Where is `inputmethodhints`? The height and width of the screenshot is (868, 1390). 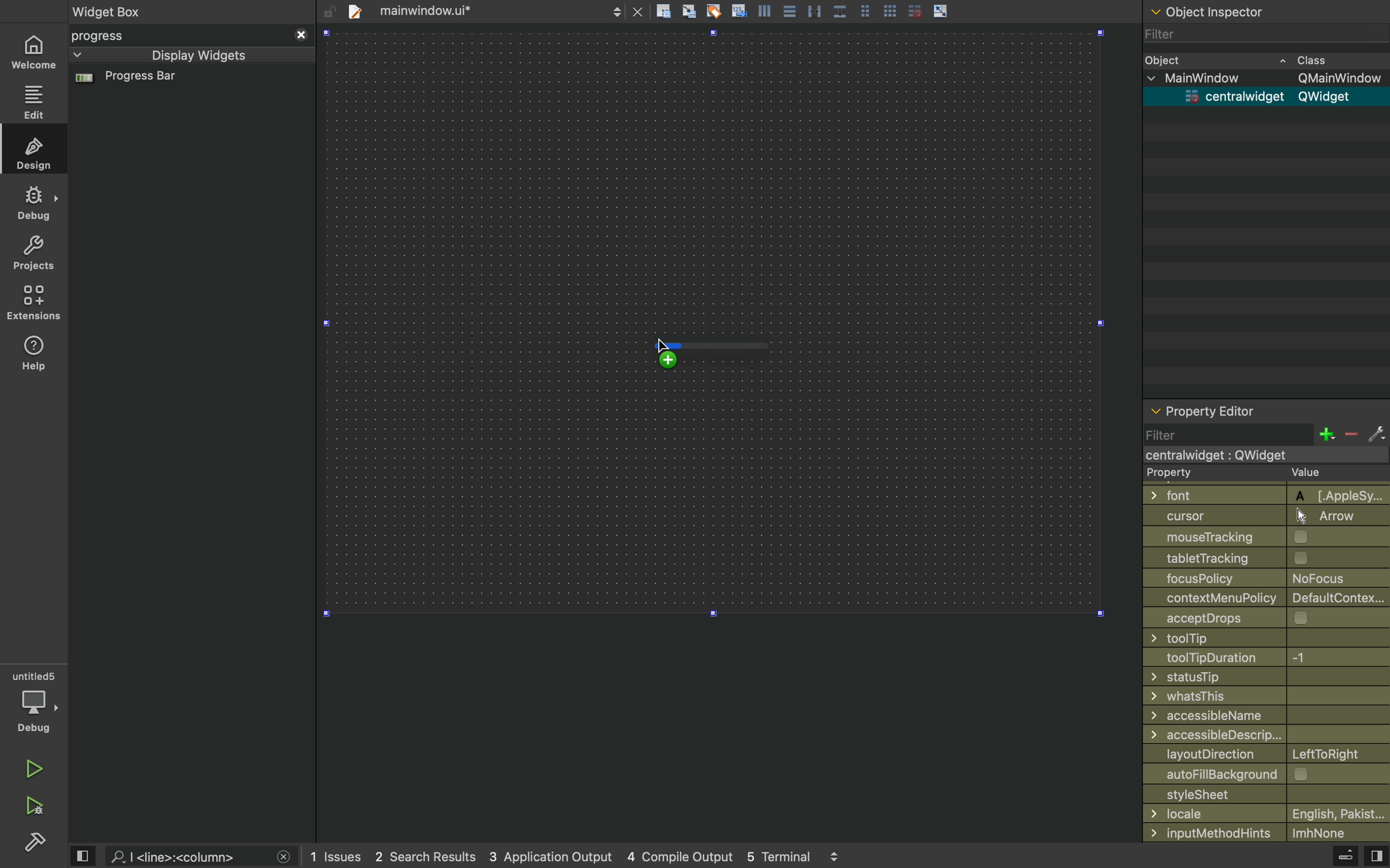 inputmethodhints is located at coordinates (1265, 831).